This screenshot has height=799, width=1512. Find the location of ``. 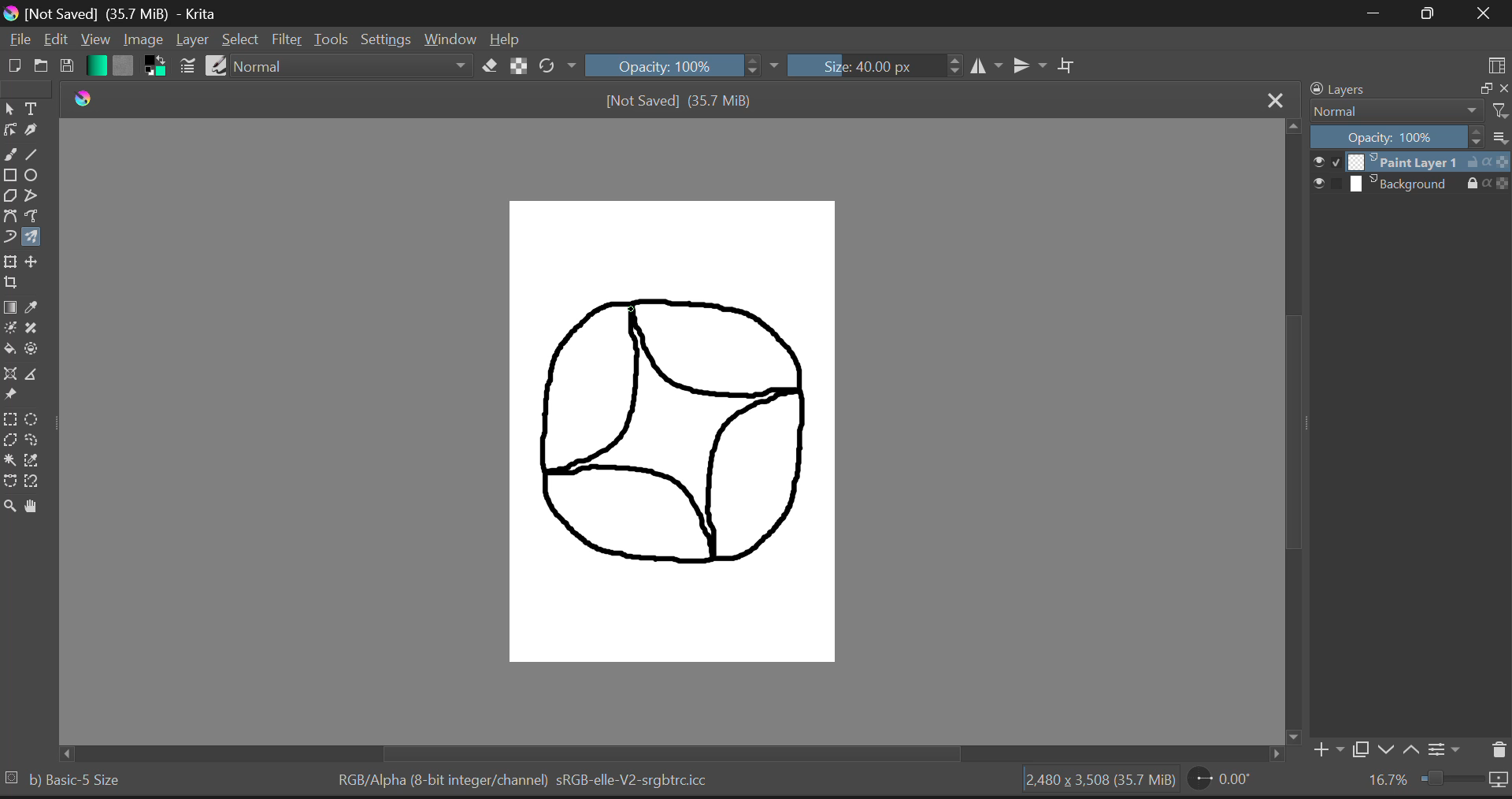

 is located at coordinates (65, 753).